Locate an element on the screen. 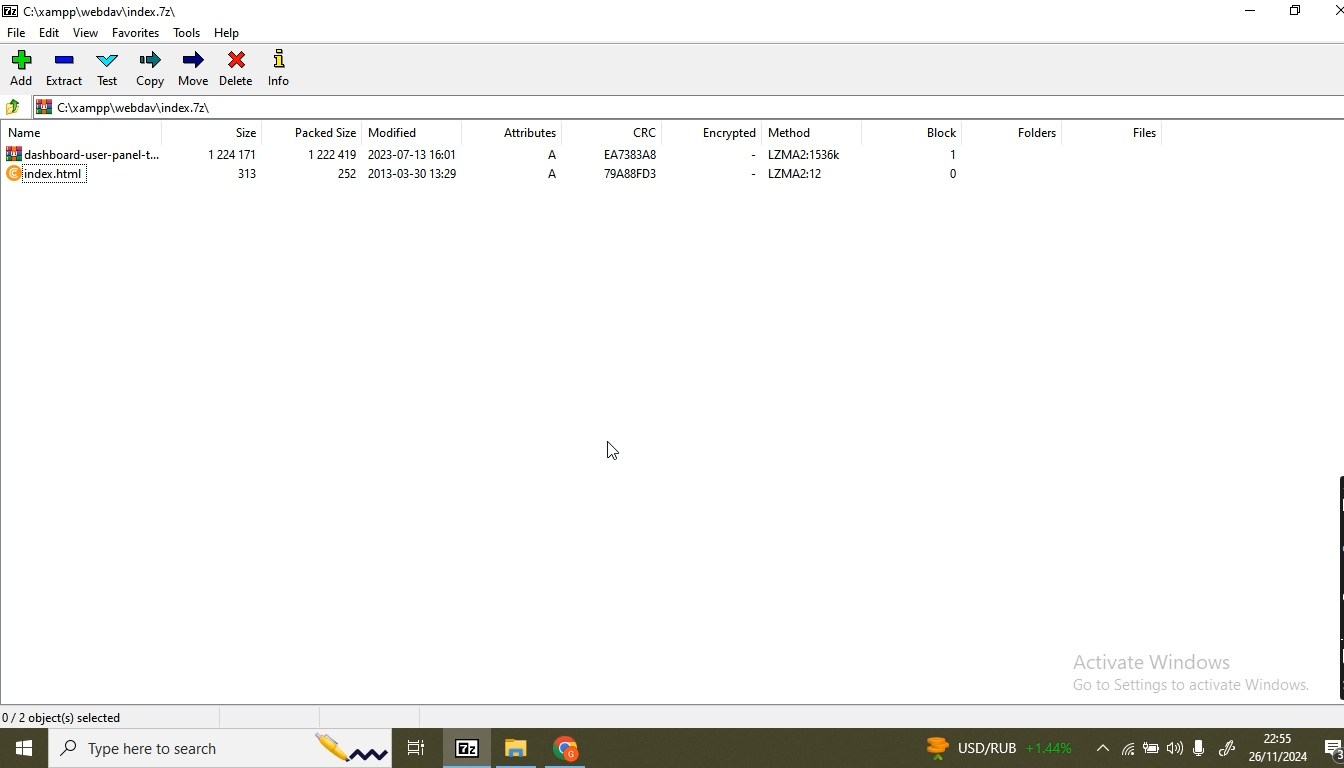  252 is located at coordinates (338, 179).